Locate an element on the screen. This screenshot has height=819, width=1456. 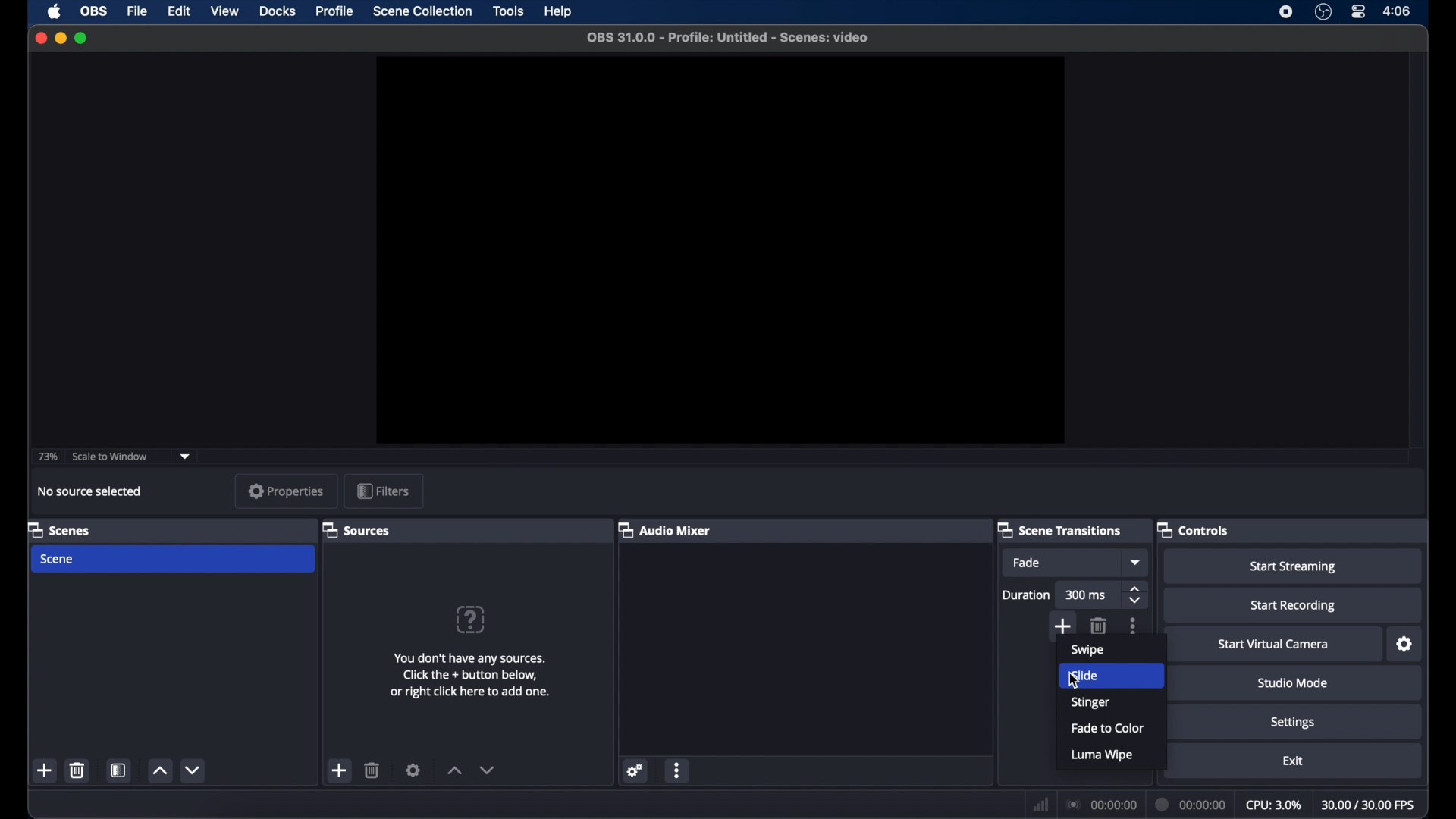
settings is located at coordinates (1405, 645).